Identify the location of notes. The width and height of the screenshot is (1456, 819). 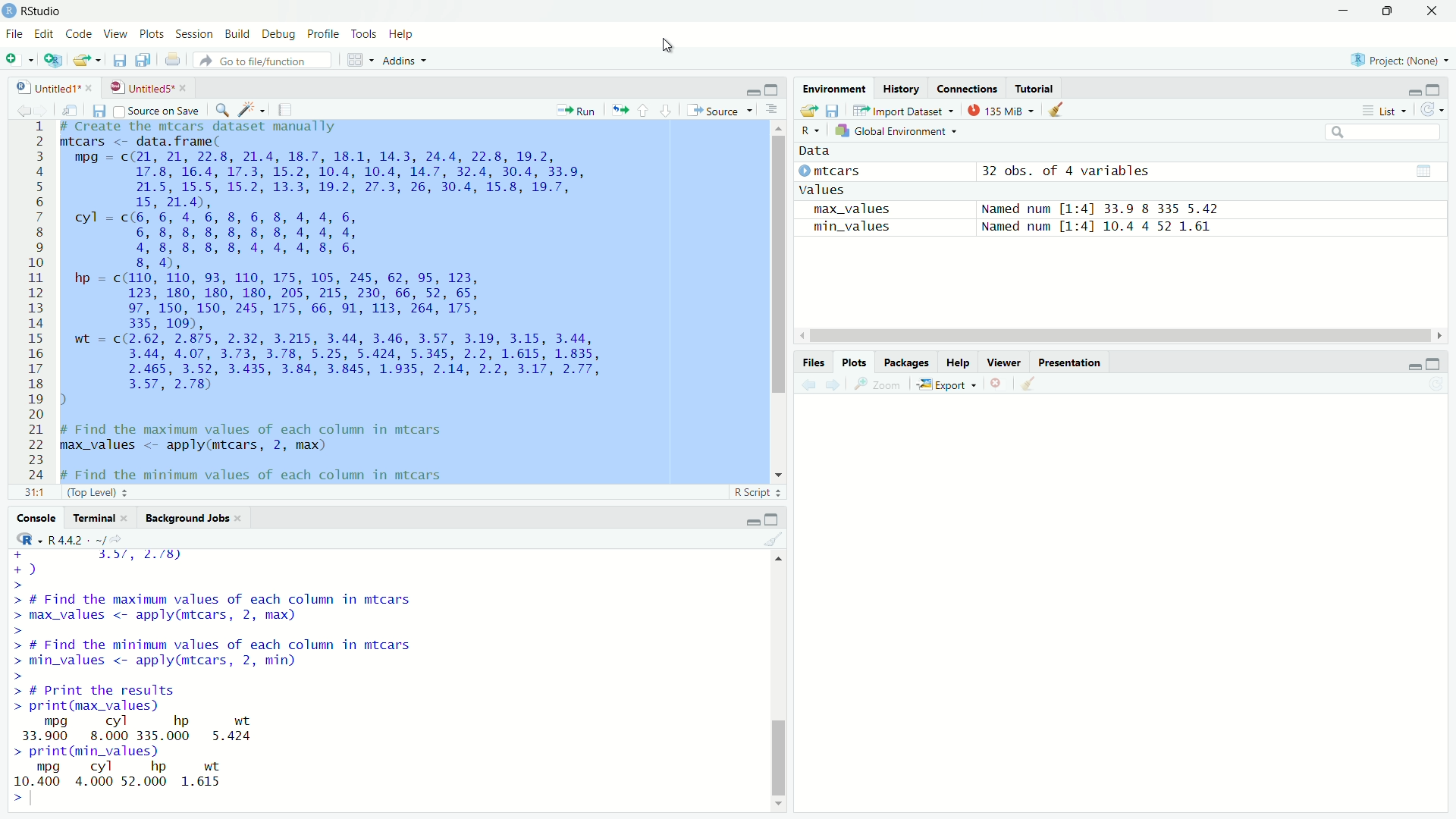
(284, 109).